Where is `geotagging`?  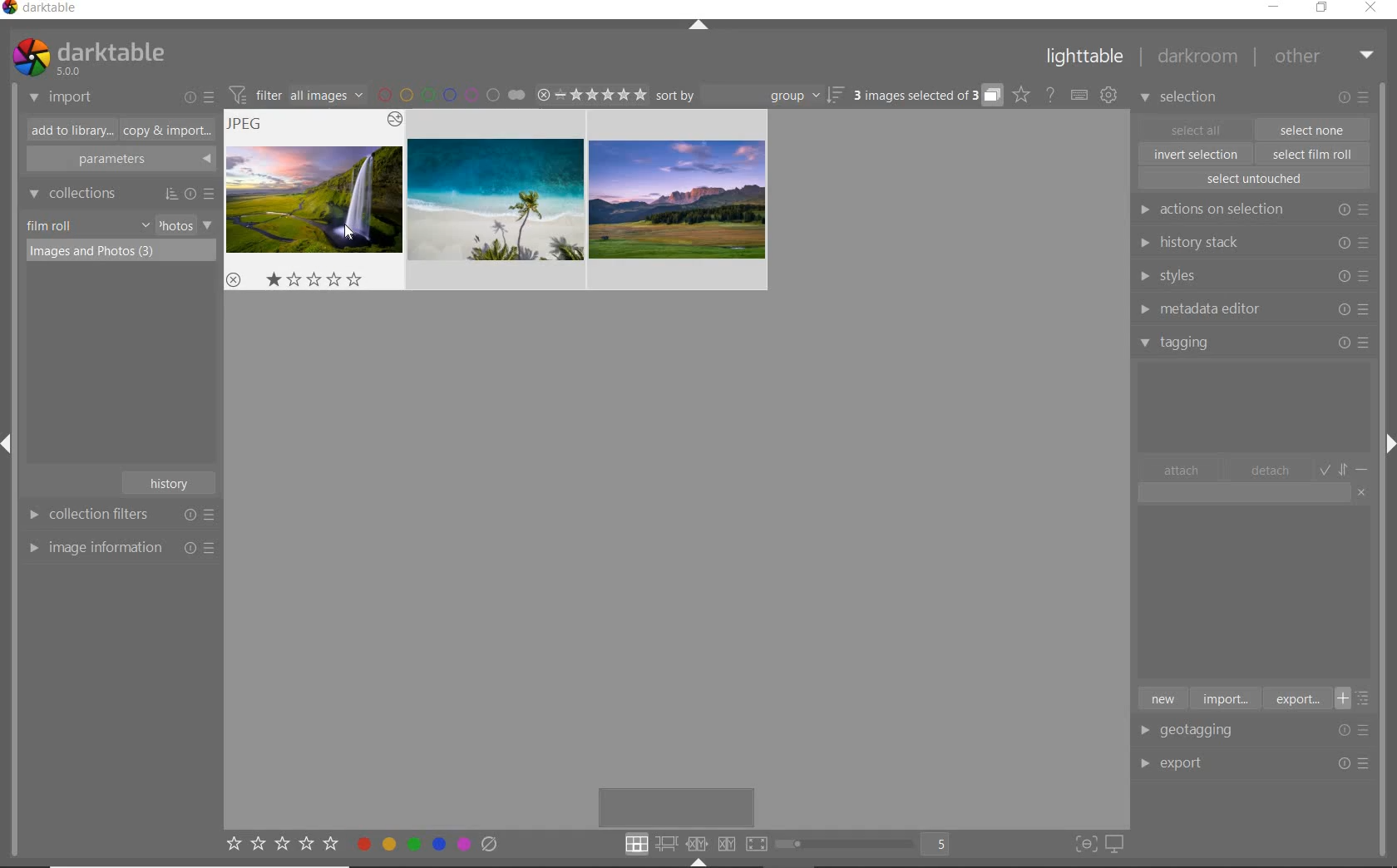
geotagging is located at coordinates (1202, 732).